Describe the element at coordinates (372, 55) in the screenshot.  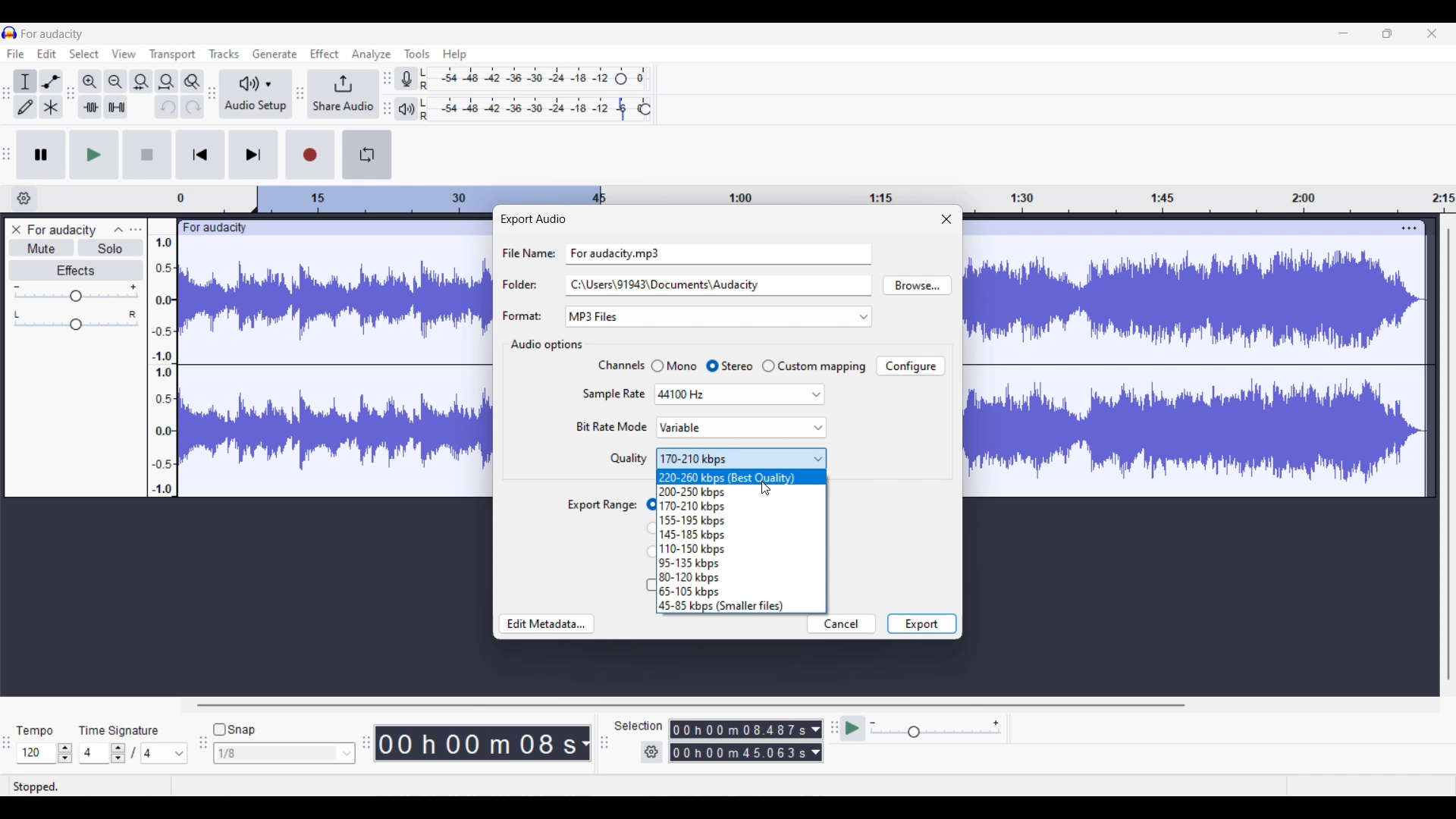
I see `Analyze menu` at that location.